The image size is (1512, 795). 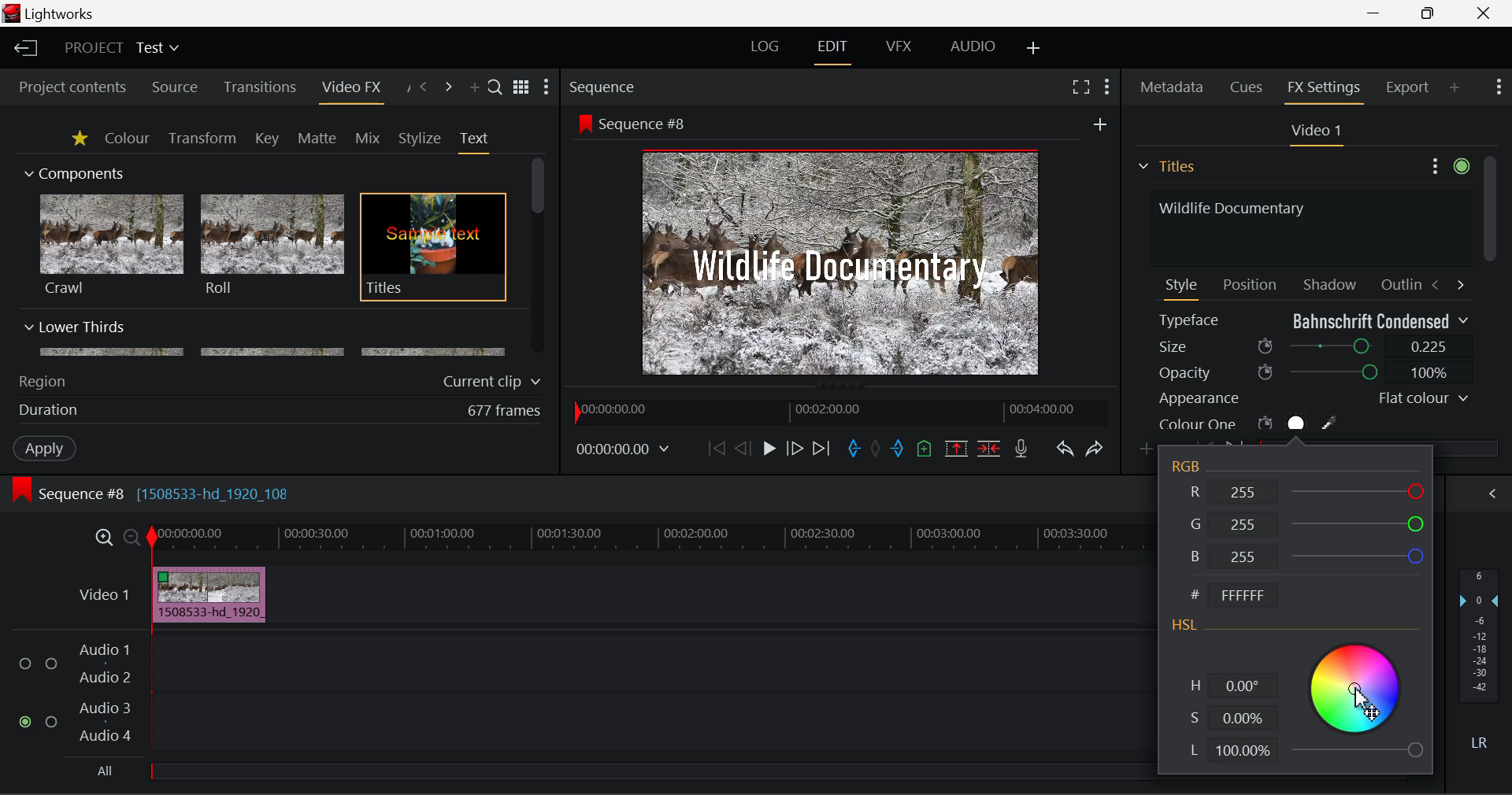 I want to click on Sequence #8, so click(x=649, y=124).